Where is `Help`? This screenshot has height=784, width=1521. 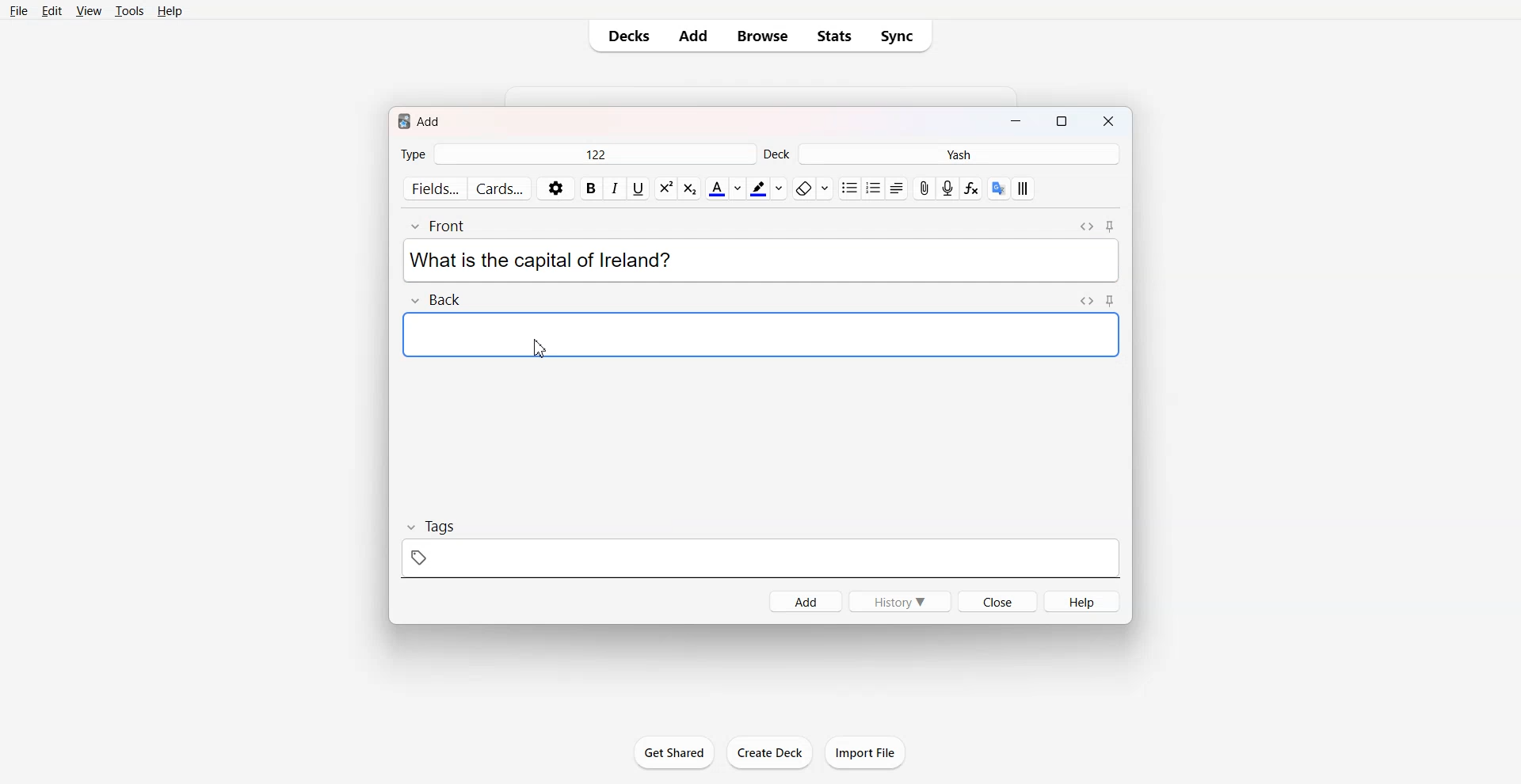 Help is located at coordinates (170, 11).